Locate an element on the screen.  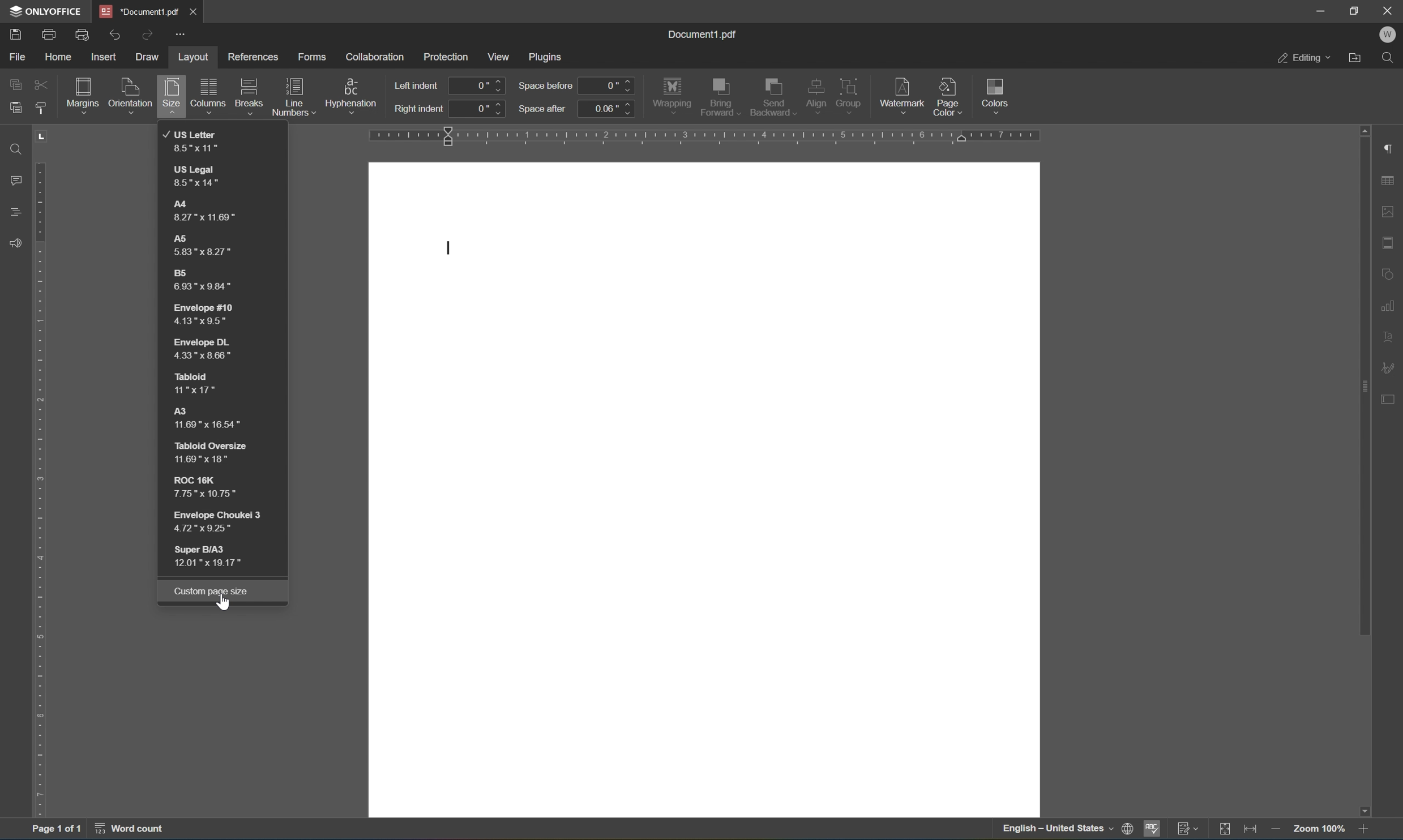
view is located at coordinates (502, 56).